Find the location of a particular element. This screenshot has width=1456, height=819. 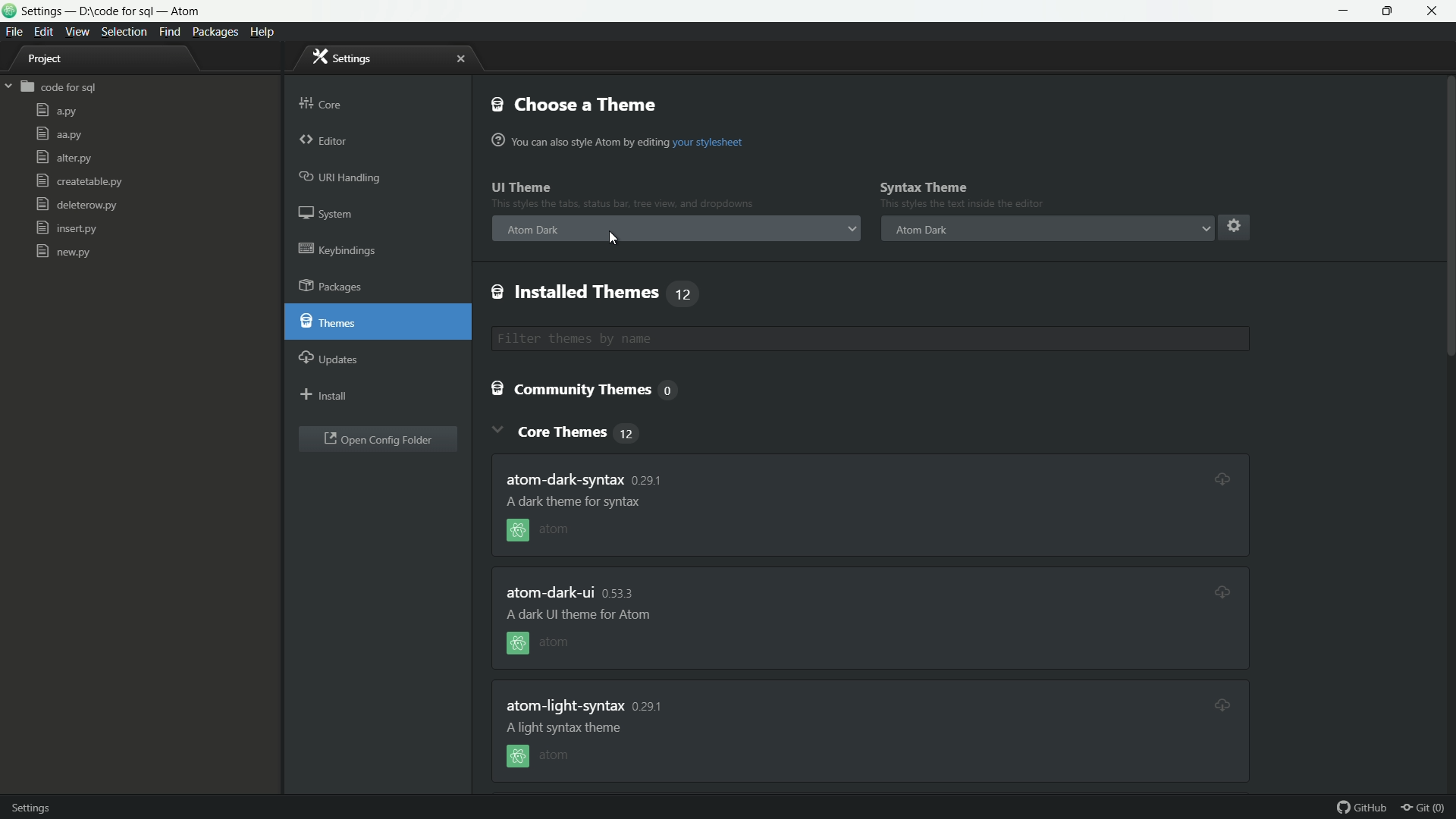

git (0) is located at coordinates (1427, 808).